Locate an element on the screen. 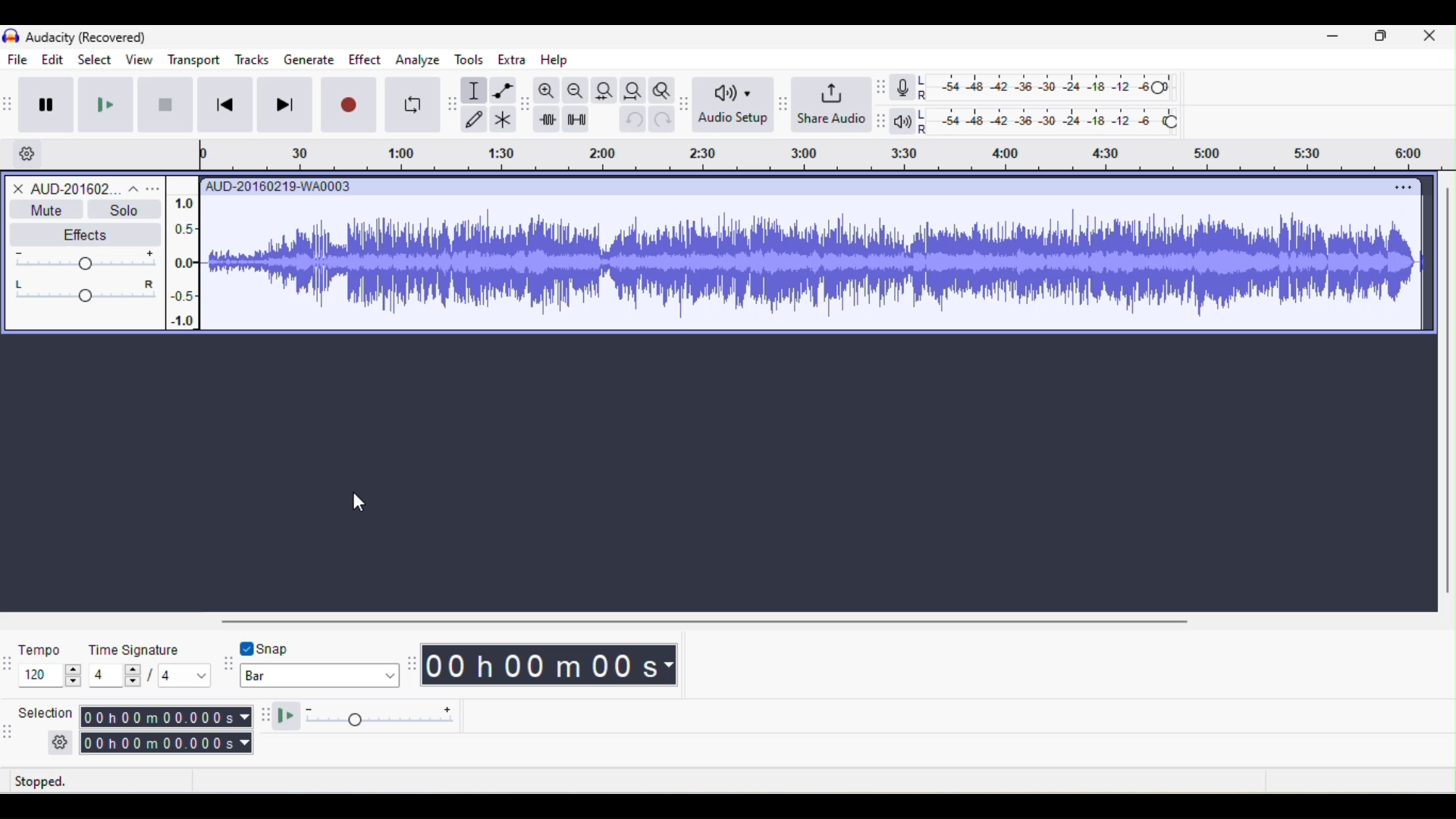 The image size is (1456, 819). audacity transport toolbar is located at coordinates (9, 103).